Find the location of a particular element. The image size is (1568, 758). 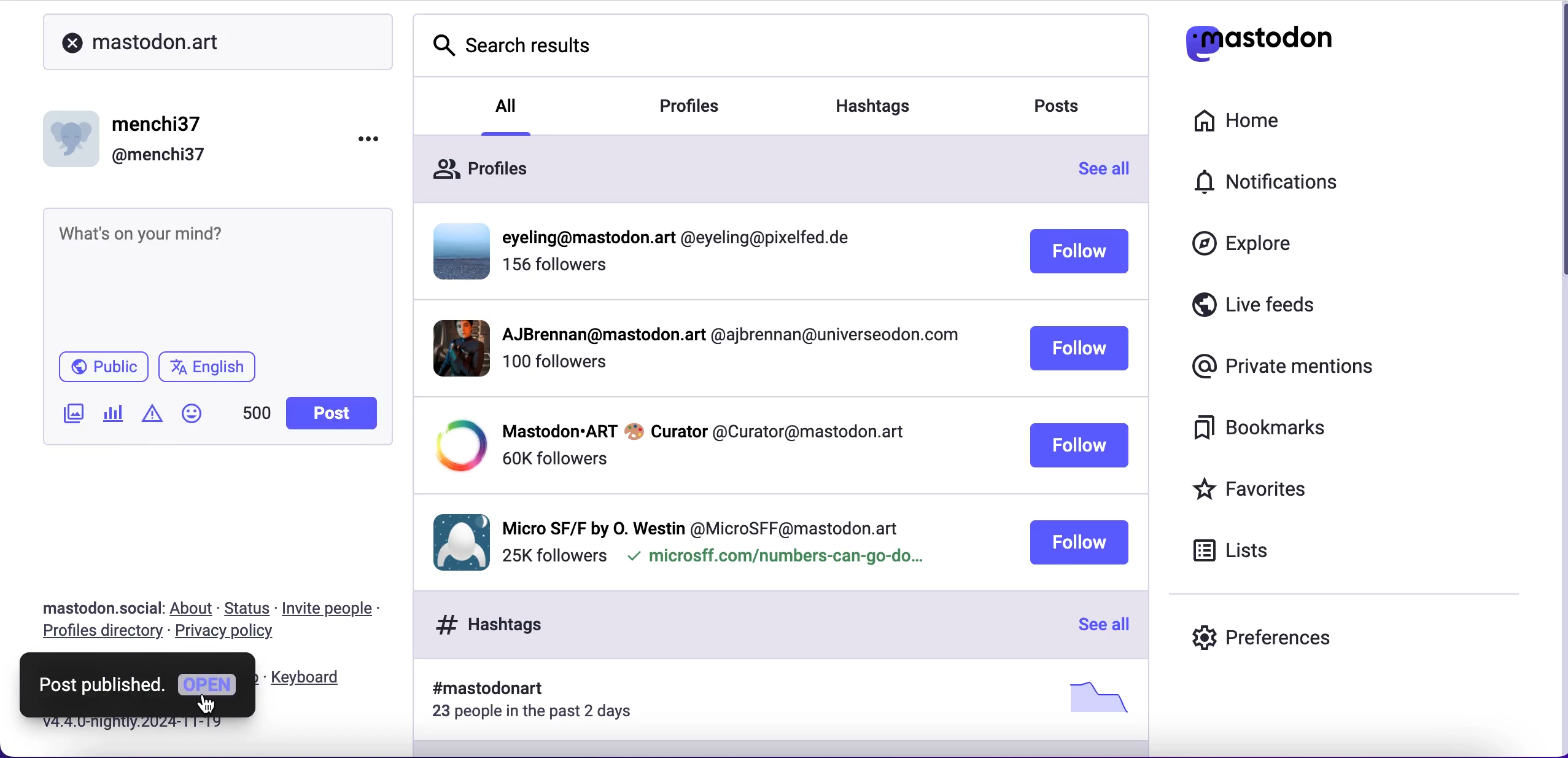

search results is located at coordinates (514, 42).